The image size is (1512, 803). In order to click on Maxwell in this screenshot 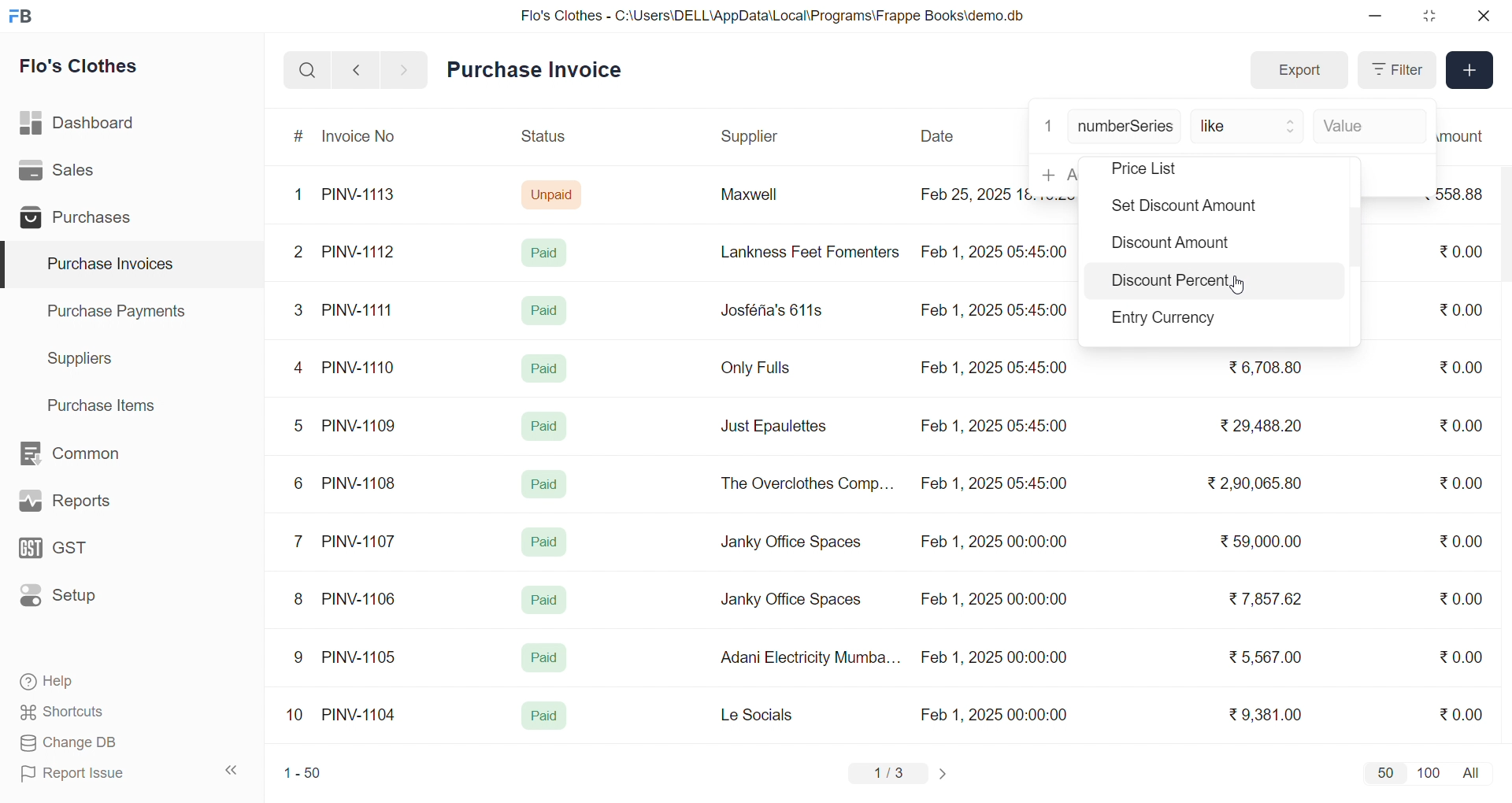, I will do `click(767, 200)`.